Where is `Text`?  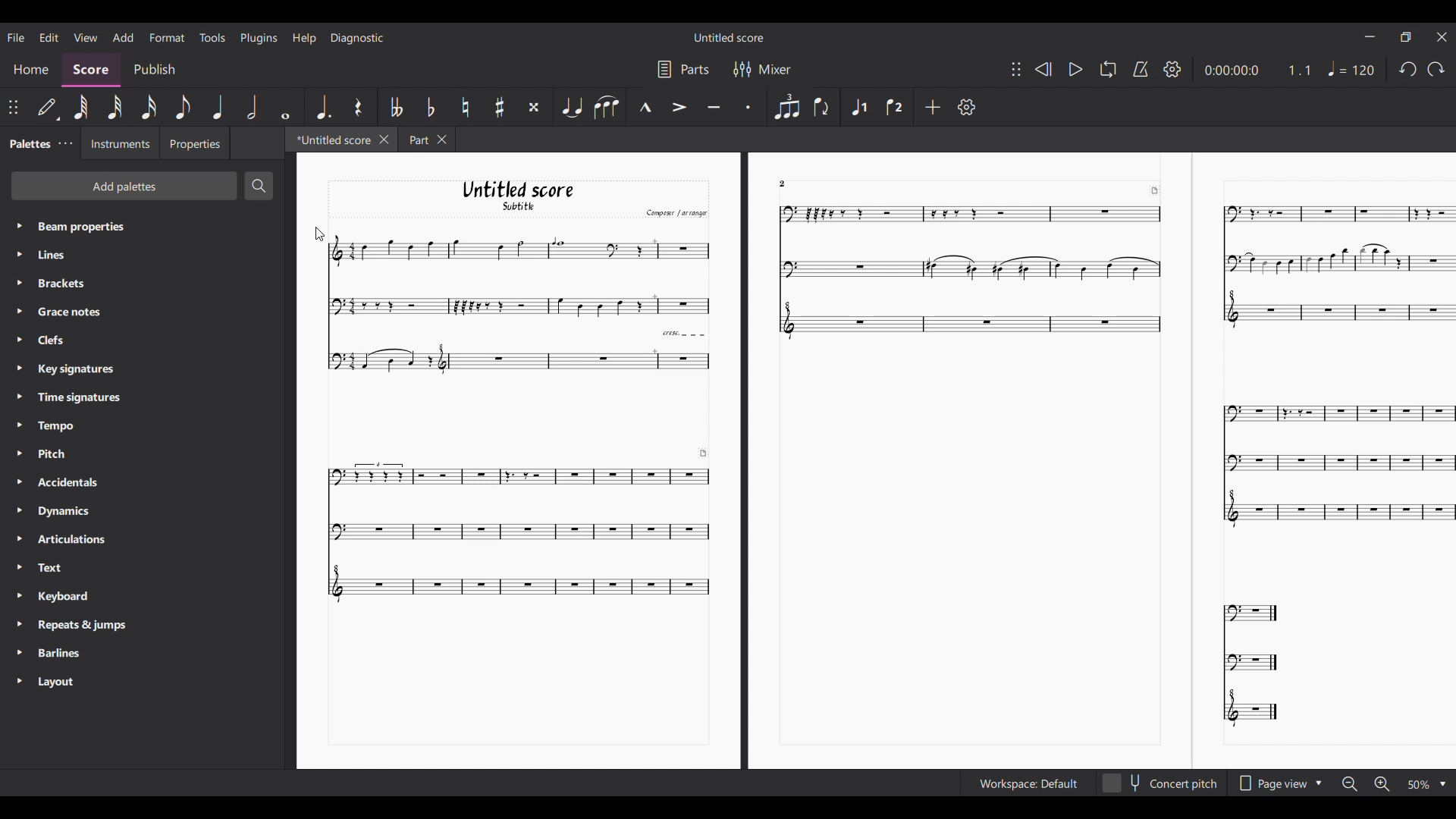
Text is located at coordinates (71, 567).